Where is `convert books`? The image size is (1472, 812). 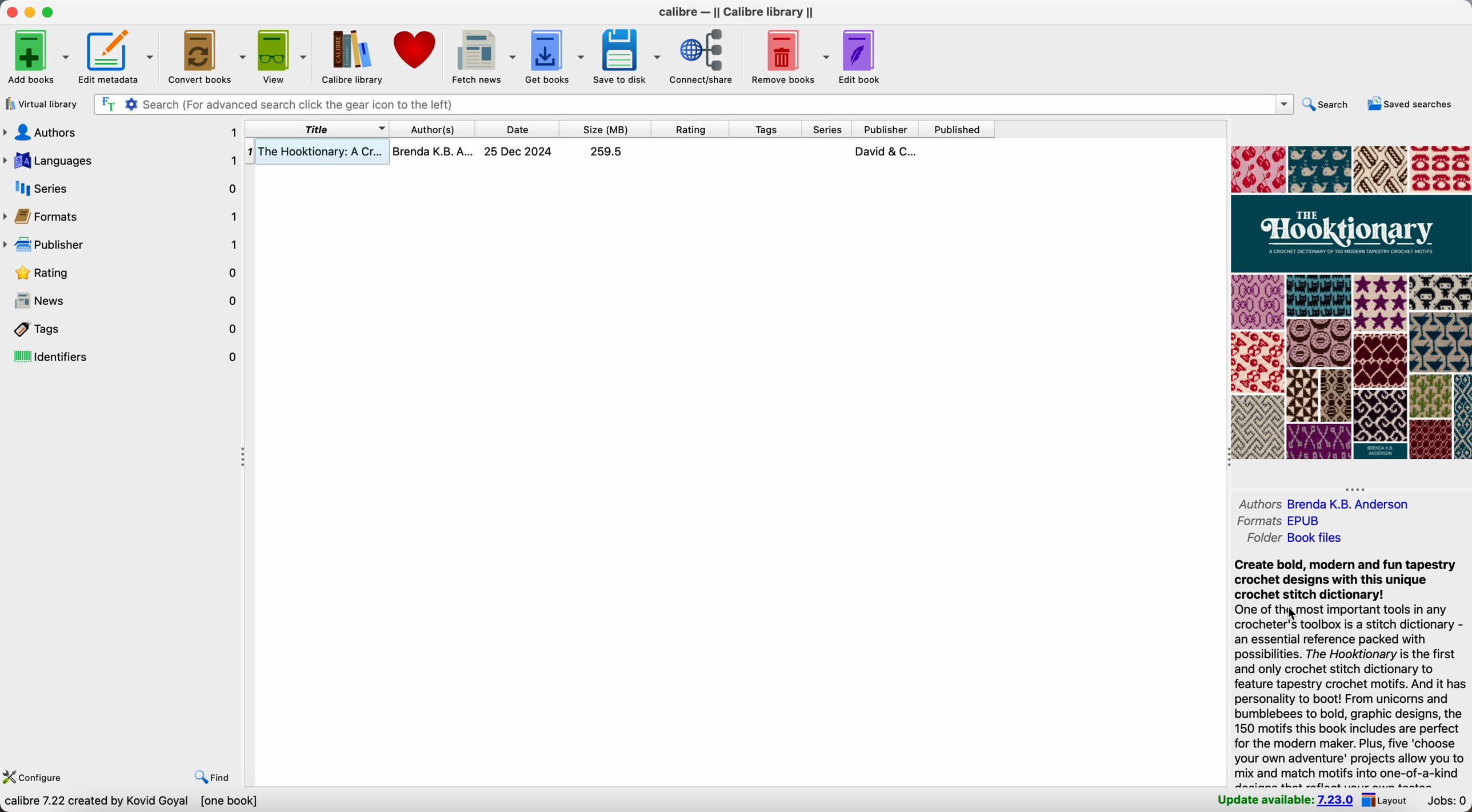
convert books is located at coordinates (205, 55).